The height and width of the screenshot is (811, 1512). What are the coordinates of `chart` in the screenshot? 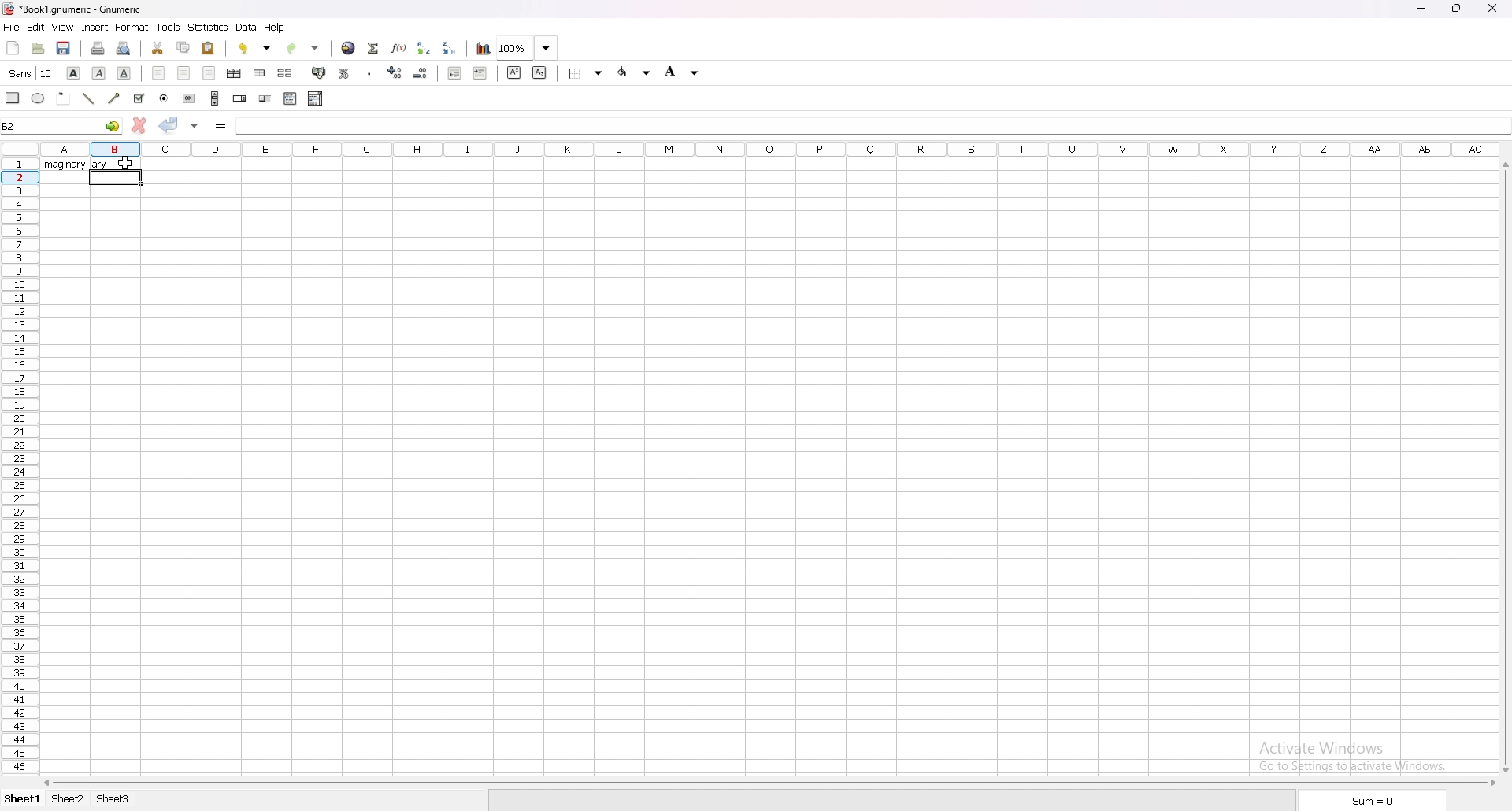 It's located at (483, 49).